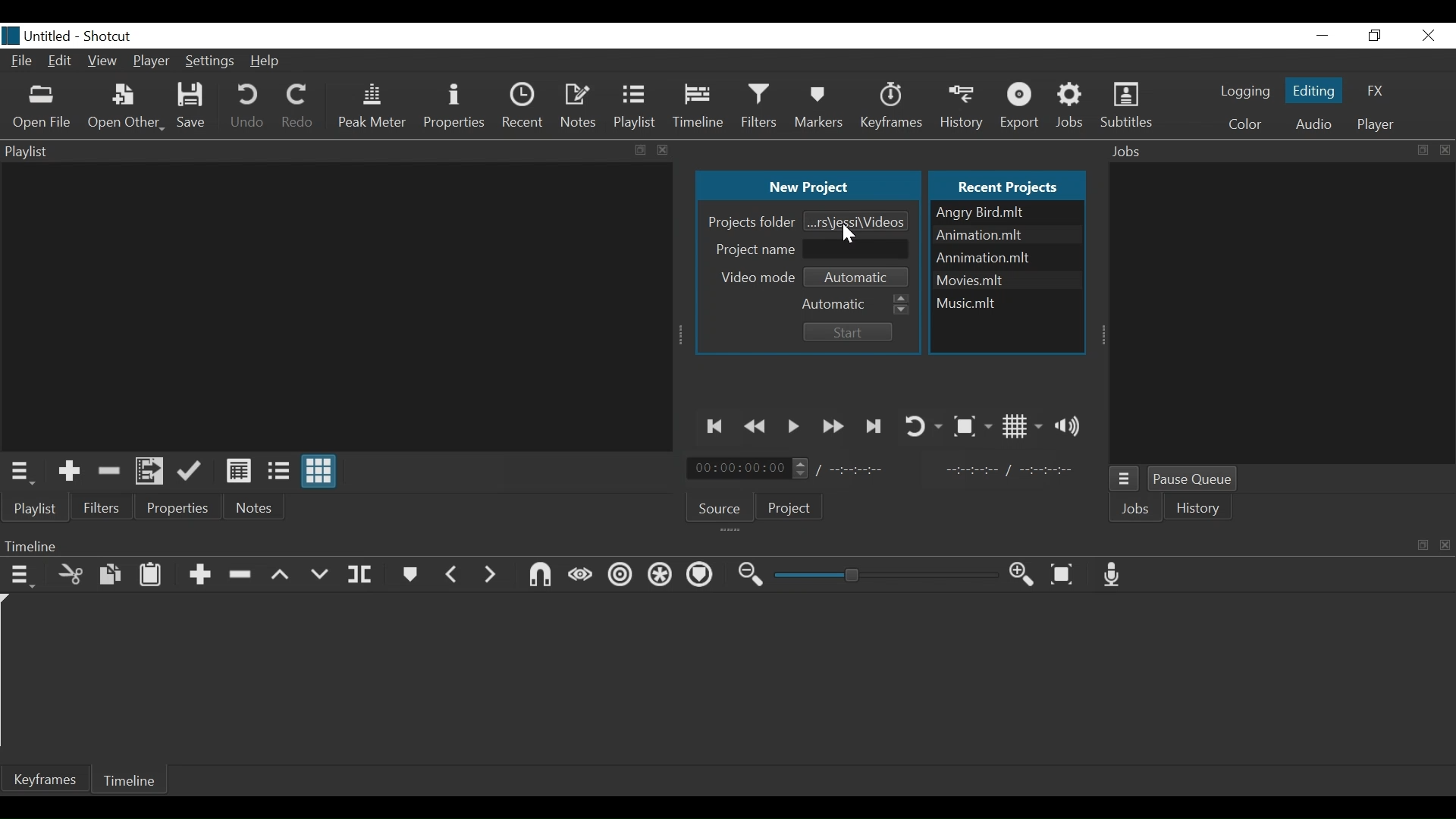 This screenshot has width=1456, height=819. Describe the element at coordinates (1323, 35) in the screenshot. I see `minimize` at that location.